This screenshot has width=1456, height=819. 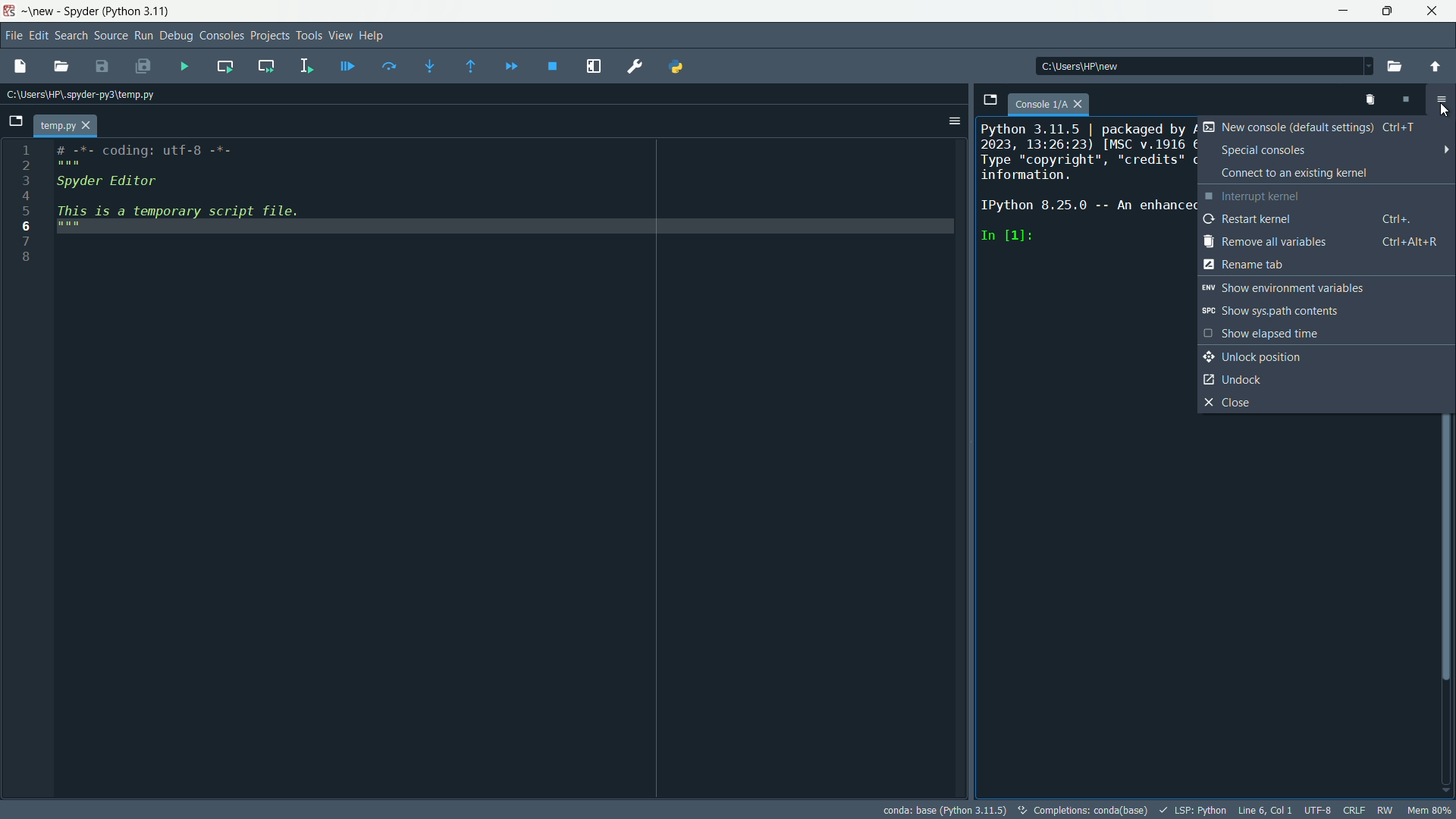 I want to click on options, so click(x=1440, y=99).